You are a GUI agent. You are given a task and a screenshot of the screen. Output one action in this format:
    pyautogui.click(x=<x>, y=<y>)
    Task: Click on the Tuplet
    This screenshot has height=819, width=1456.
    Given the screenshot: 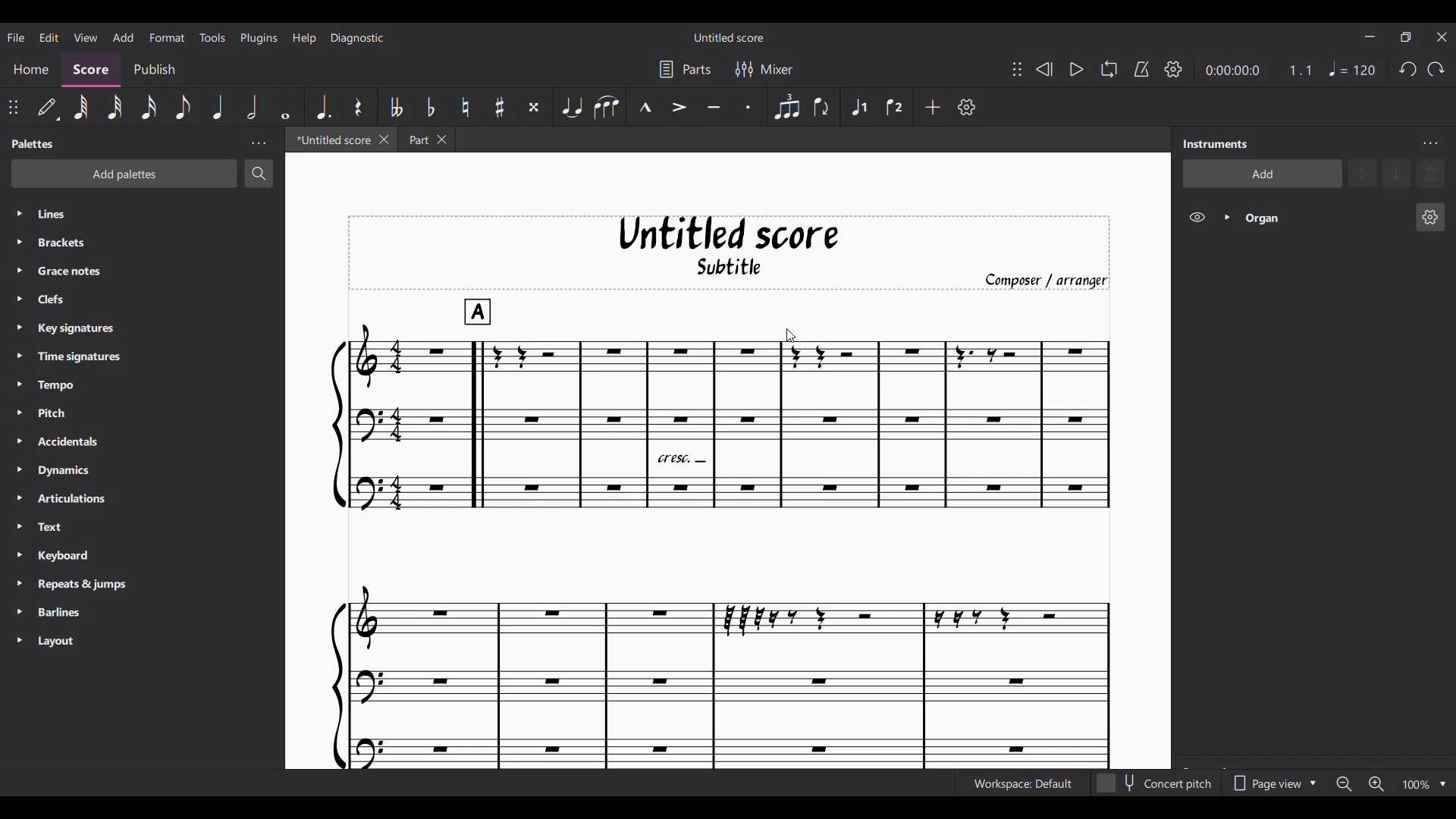 What is the action you would take?
    pyautogui.click(x=787, y=108)
    